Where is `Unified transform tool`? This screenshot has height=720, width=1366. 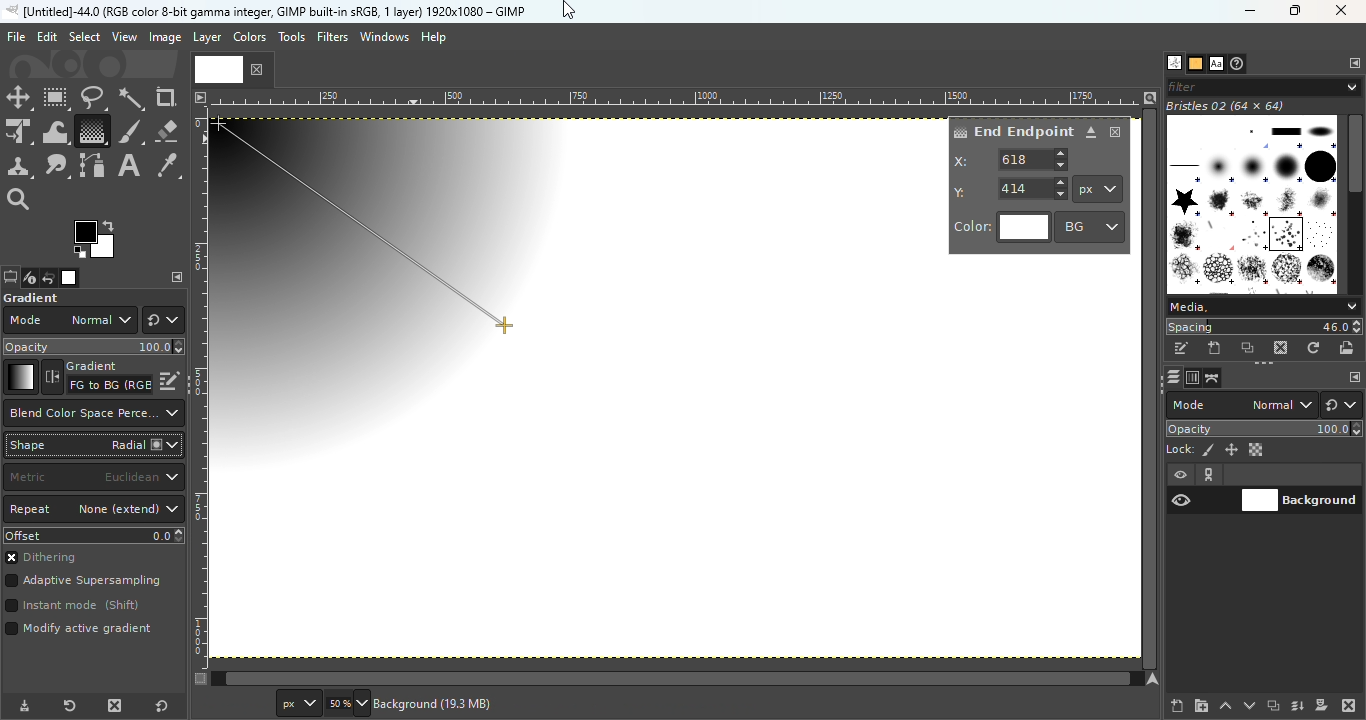 Unified transform tool is located at coordinates (18, 133).